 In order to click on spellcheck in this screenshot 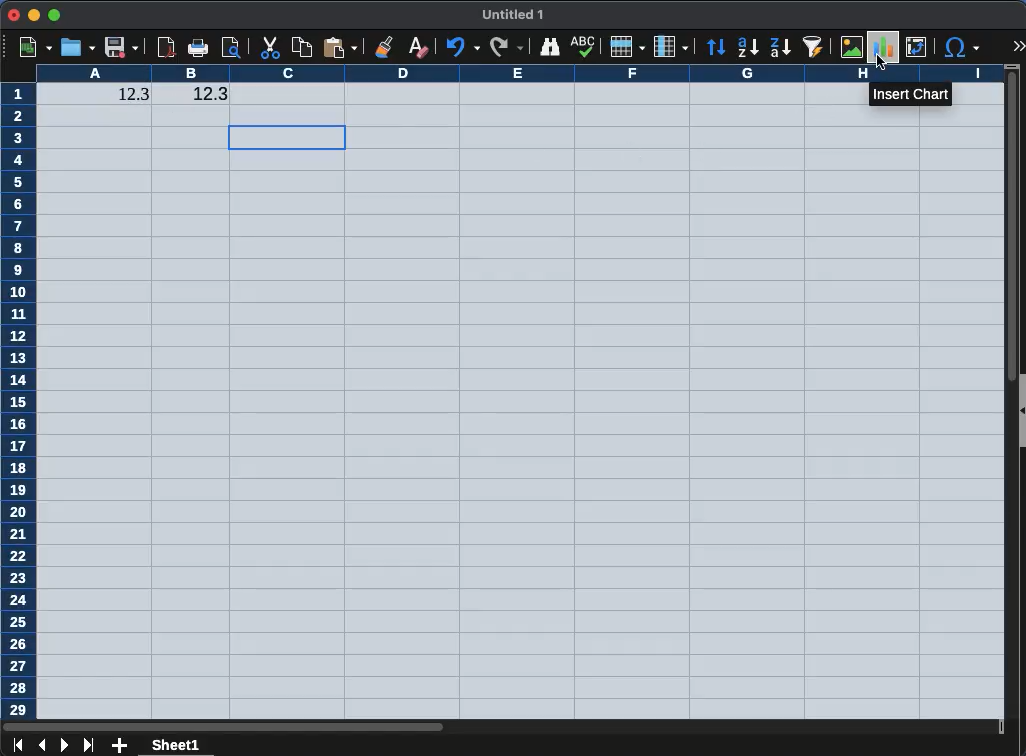, I will do `click(585, 47)`.